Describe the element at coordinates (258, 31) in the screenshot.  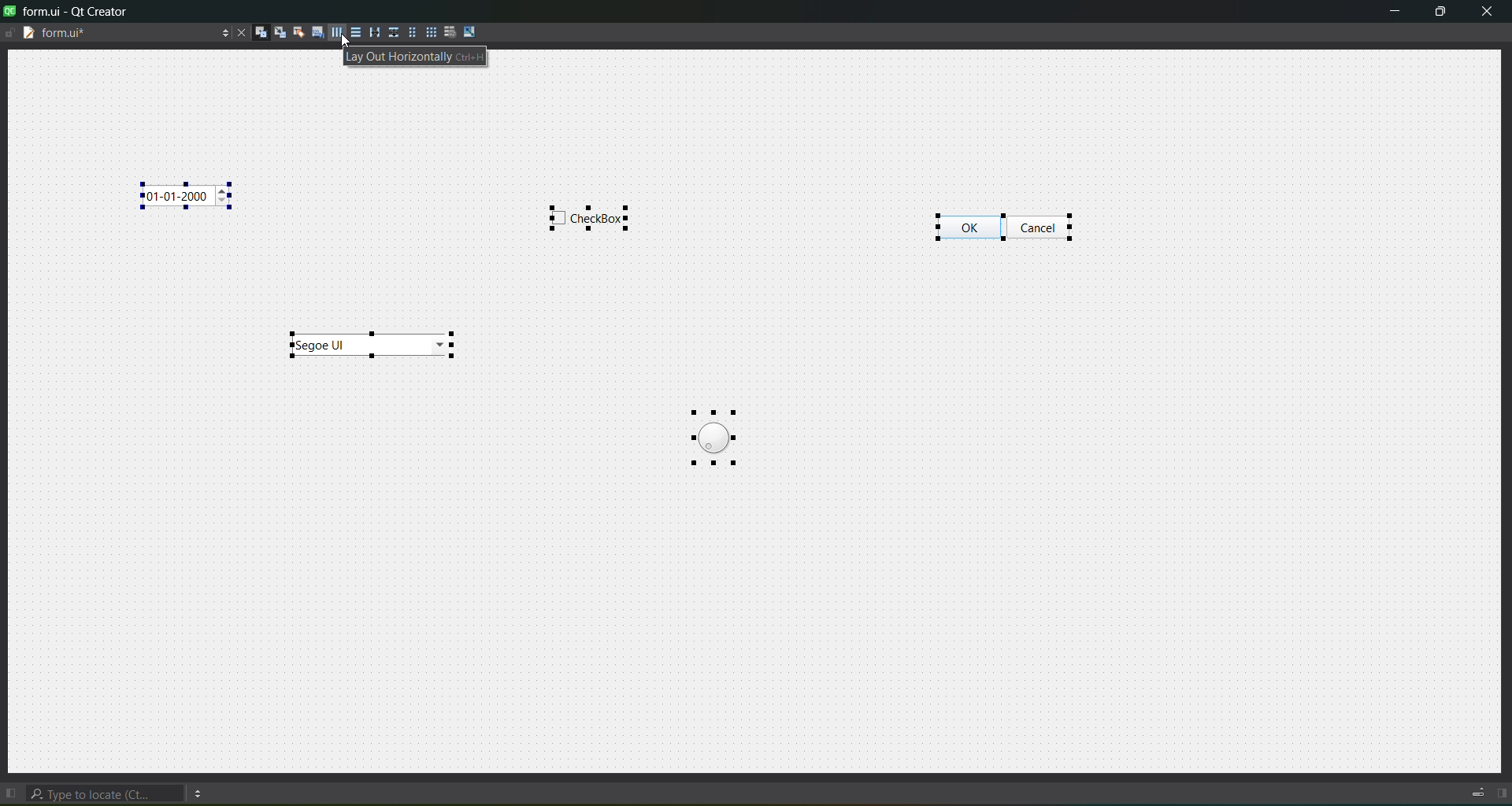
I see `widgets` at that location.